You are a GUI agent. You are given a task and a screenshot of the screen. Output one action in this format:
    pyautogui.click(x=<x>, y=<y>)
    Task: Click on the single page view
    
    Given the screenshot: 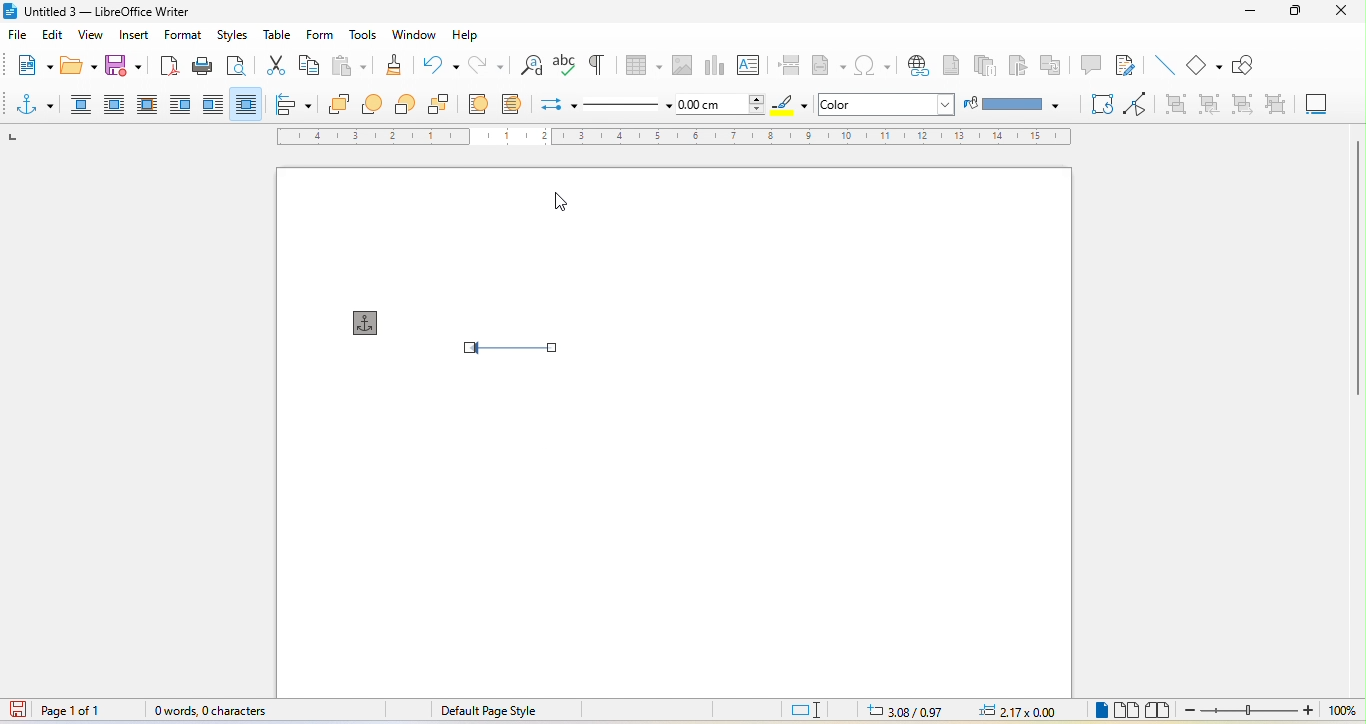 What is the action you would take?
    pyautogui.click(x=1098, y=712)
    